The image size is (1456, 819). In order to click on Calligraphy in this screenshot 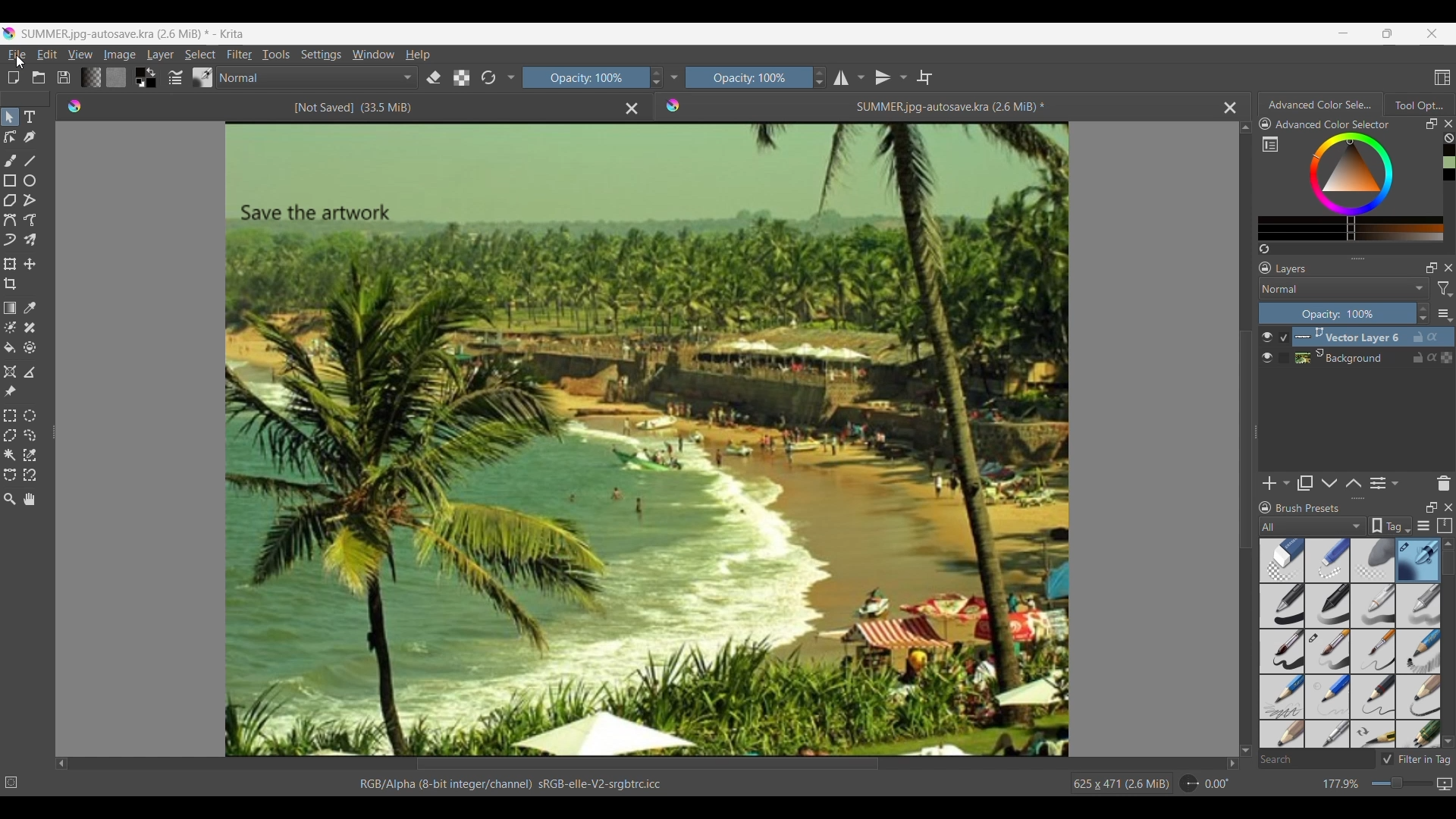, I will do `click(30, 138)`.